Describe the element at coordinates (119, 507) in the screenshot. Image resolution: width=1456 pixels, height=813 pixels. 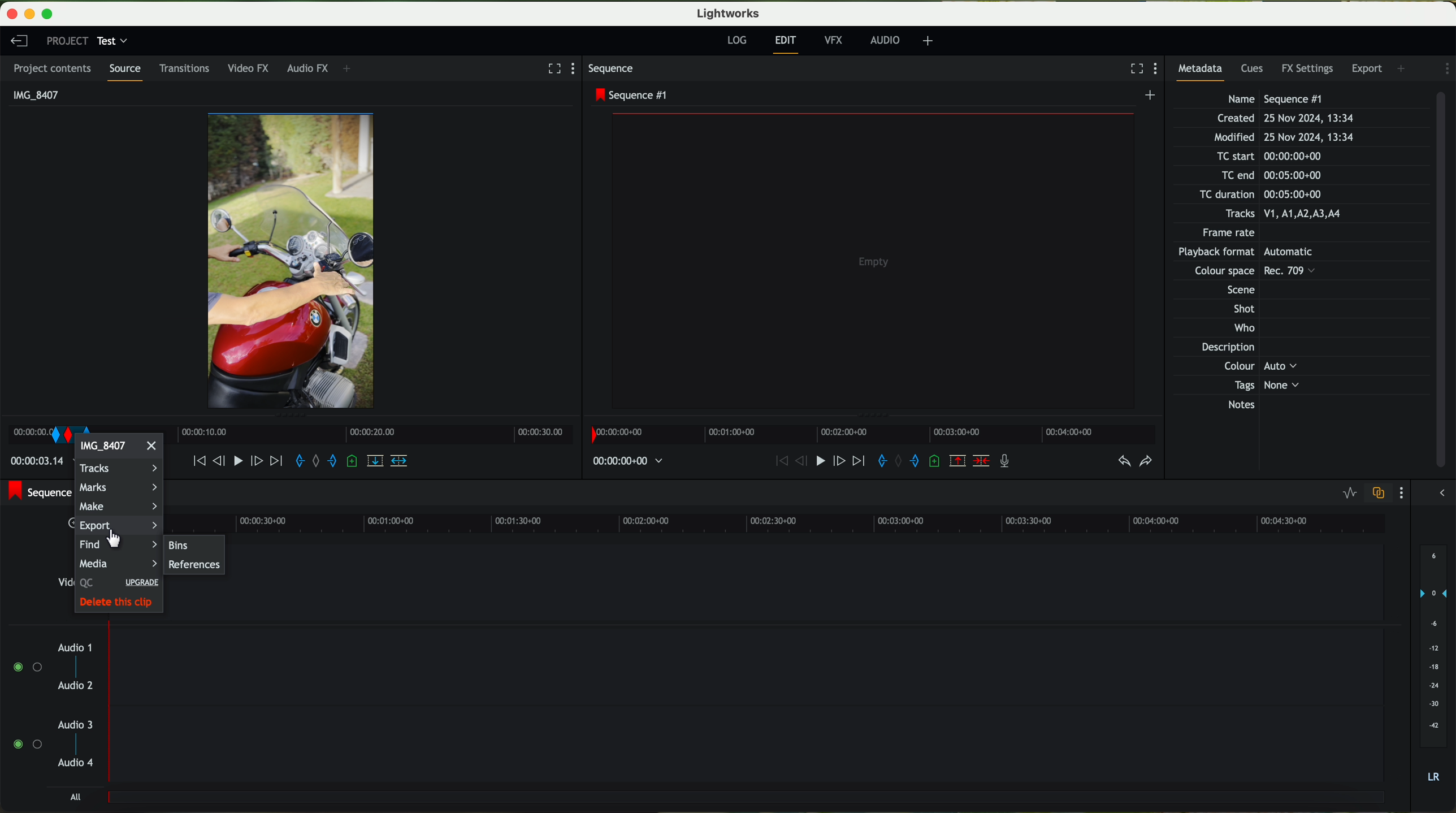
I see `make` at that location.